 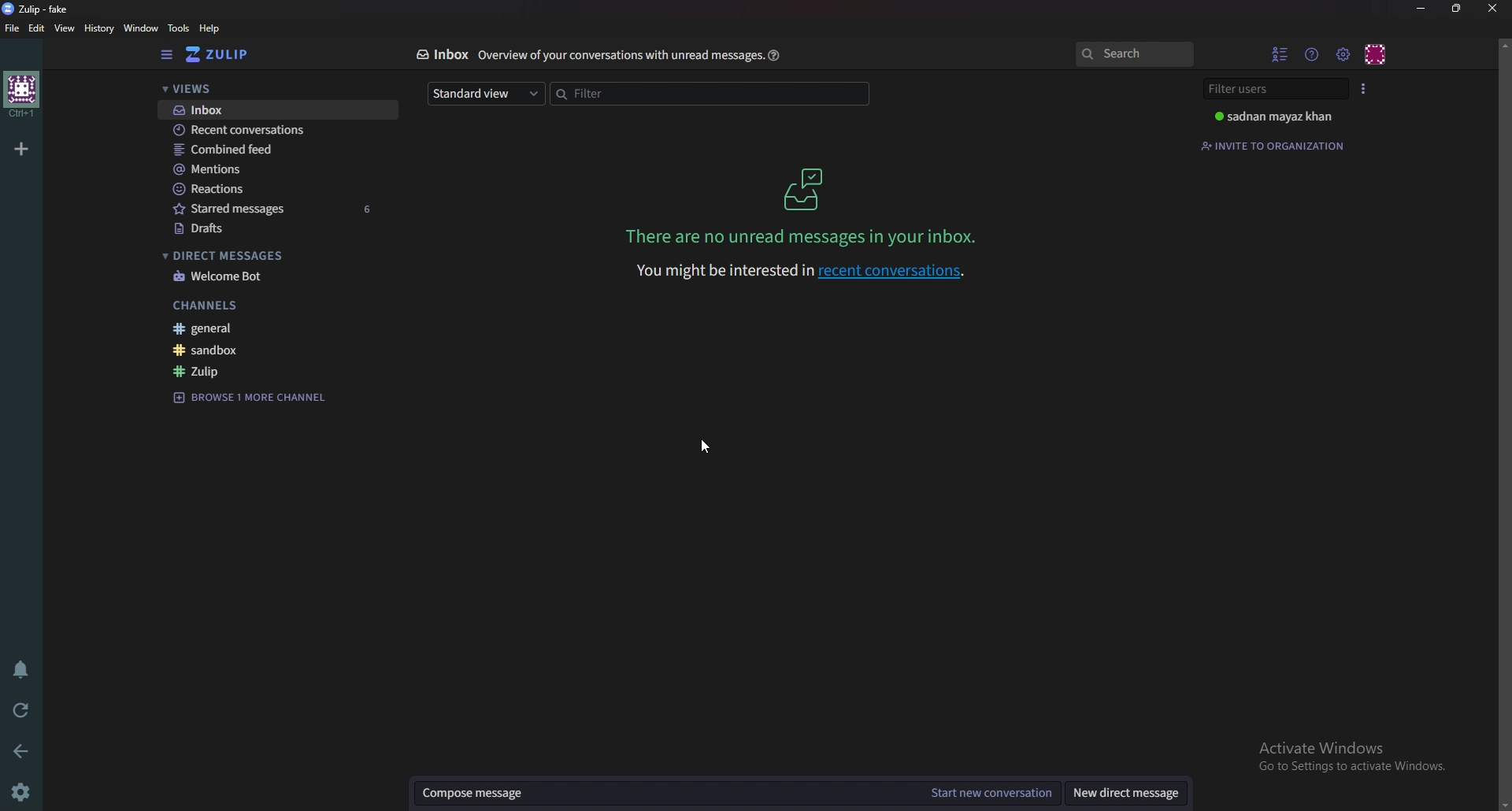 What do you see at coordinates (288, 306) in the screenshot?
I see `Channels` at bounding box center [288, 306].